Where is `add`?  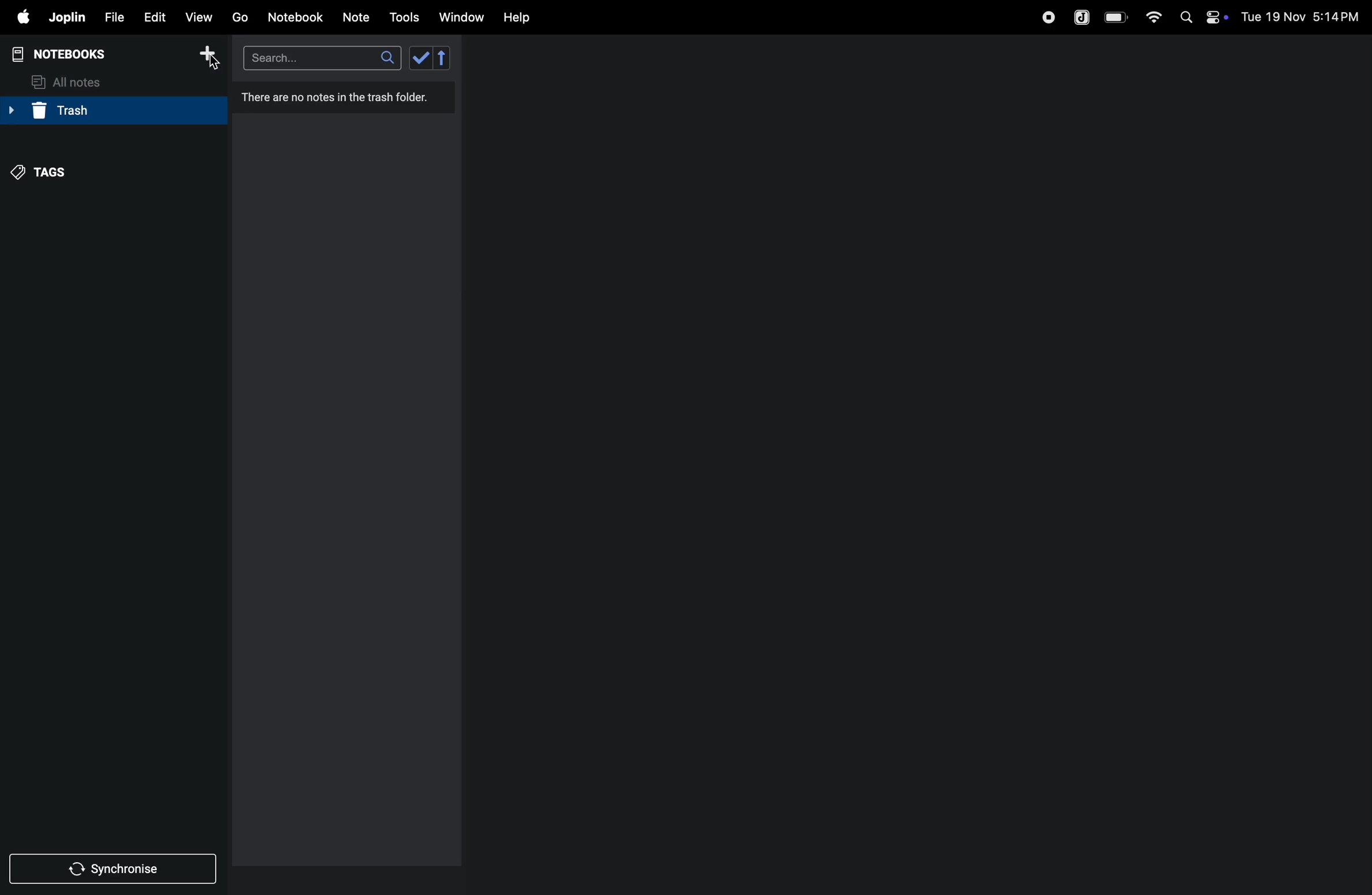
add is located at coordinates (207, 55).